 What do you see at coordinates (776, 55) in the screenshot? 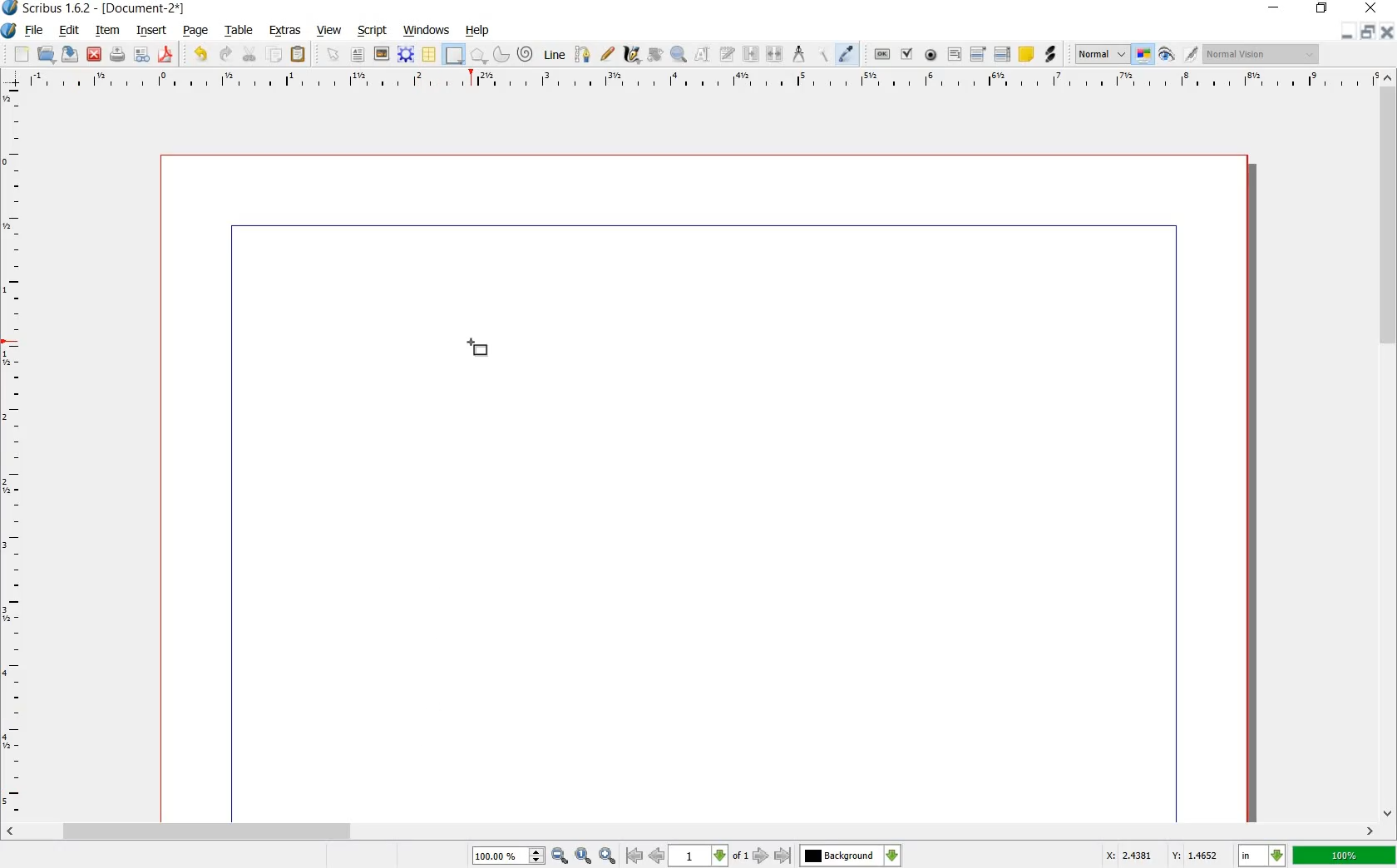
I see `UNLINK TEXT FRAME` at bounding box center [776, 55].